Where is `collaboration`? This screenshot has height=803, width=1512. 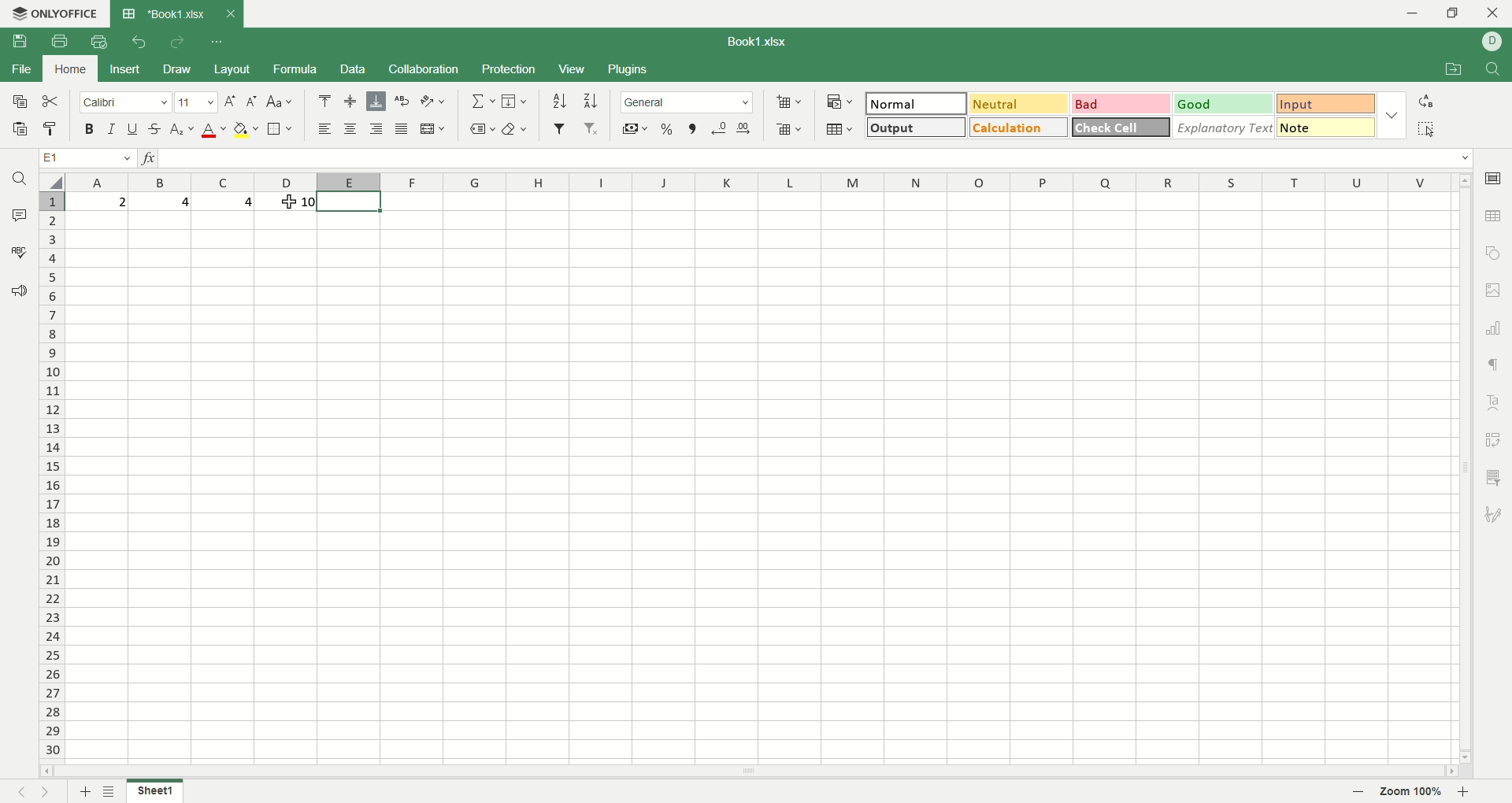
collaboration is located at coordinates (426, 68).